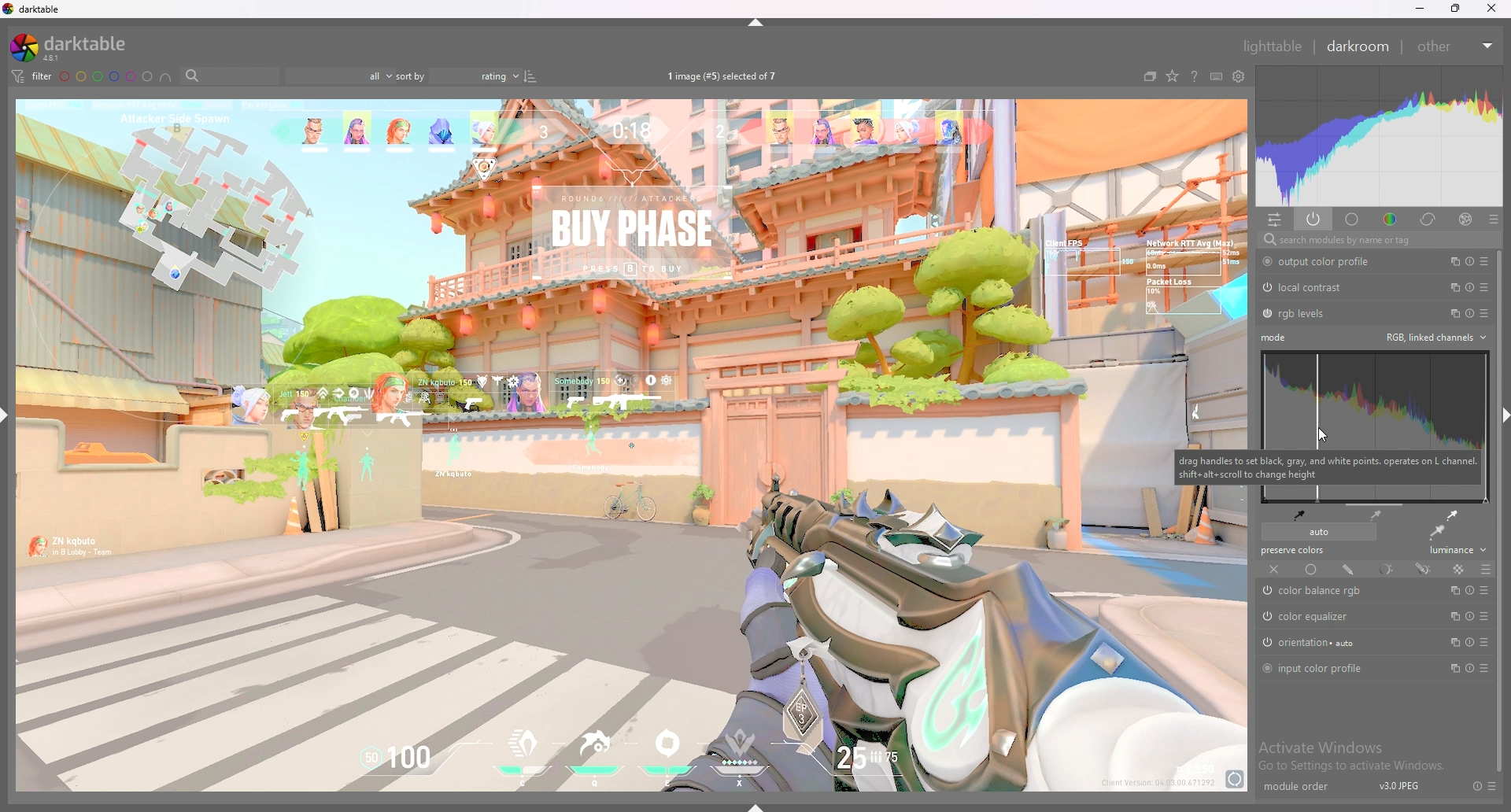 The height and width of the screenshot is (812, 1511). I want to click on darktable, so click(69, 47).